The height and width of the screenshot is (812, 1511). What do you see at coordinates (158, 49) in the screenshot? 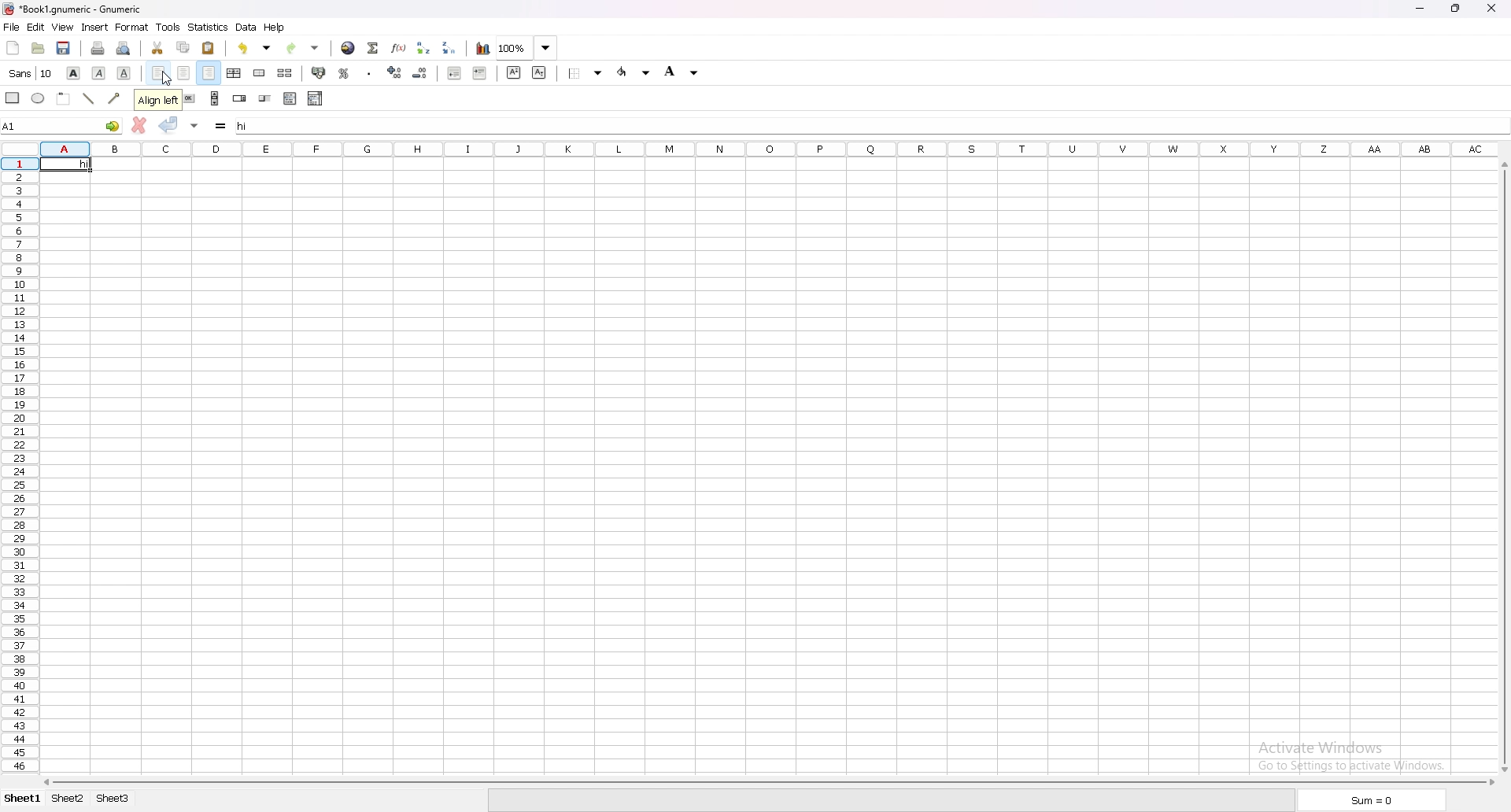
I see `cut` at bounding box center [158, 49].